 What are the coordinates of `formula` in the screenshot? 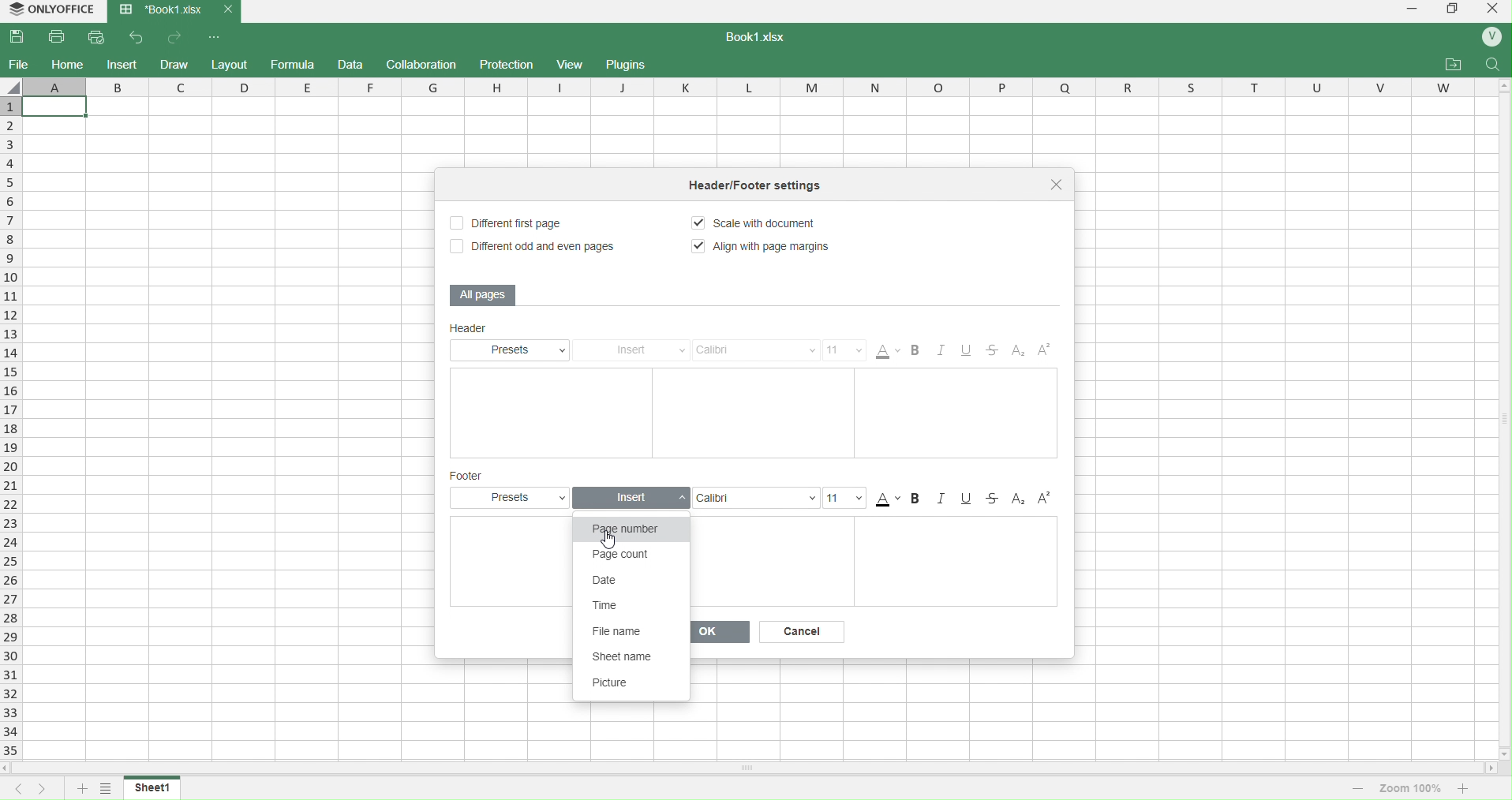 It's located at (293, 65).